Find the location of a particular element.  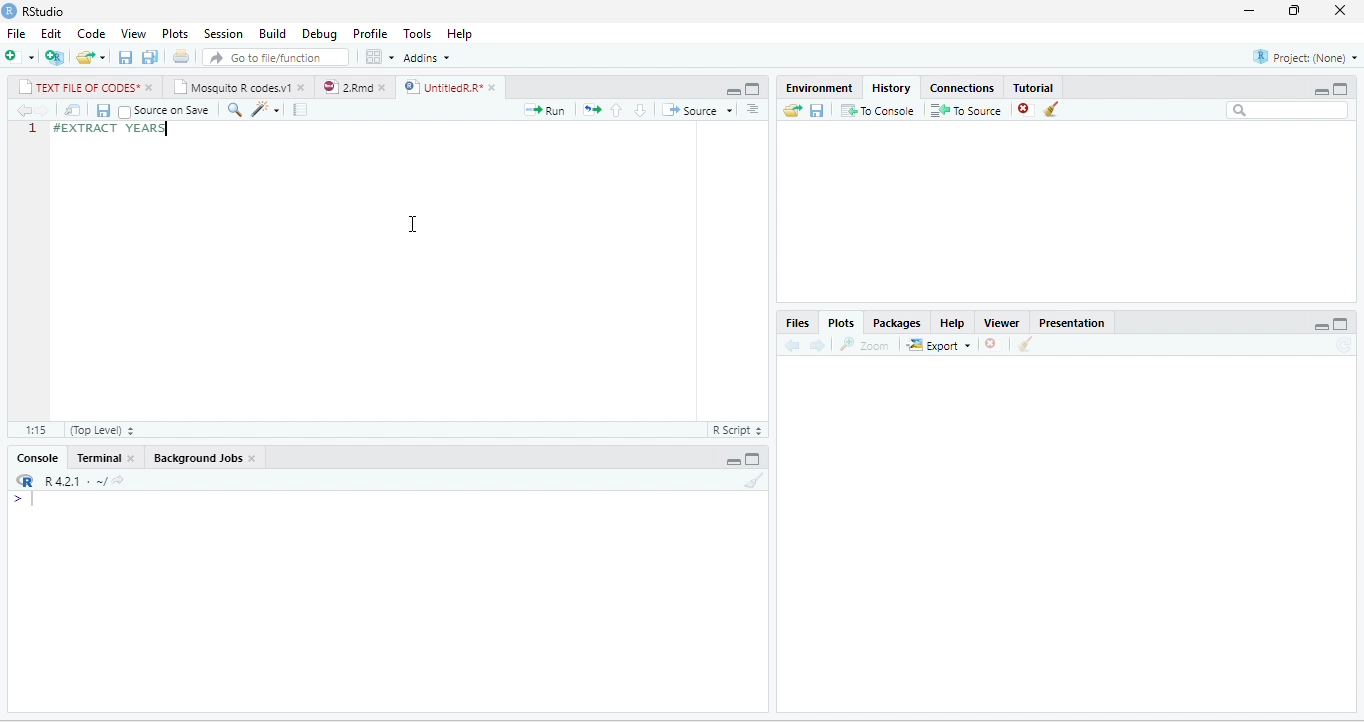

2.Rmd is located at coordinates (346, 87).